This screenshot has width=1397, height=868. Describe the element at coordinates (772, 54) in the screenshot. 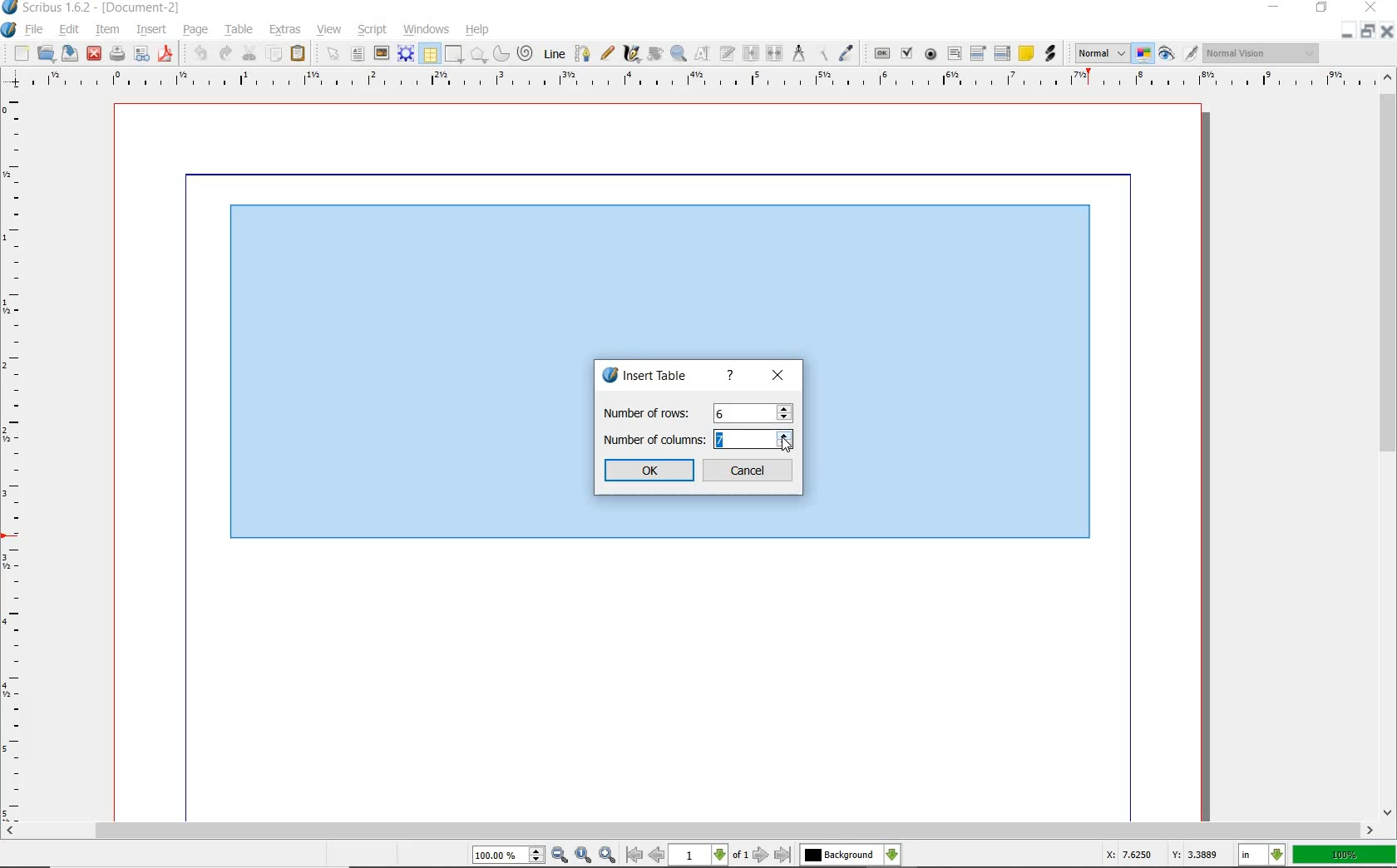

I see `unlink text frame` at that location.